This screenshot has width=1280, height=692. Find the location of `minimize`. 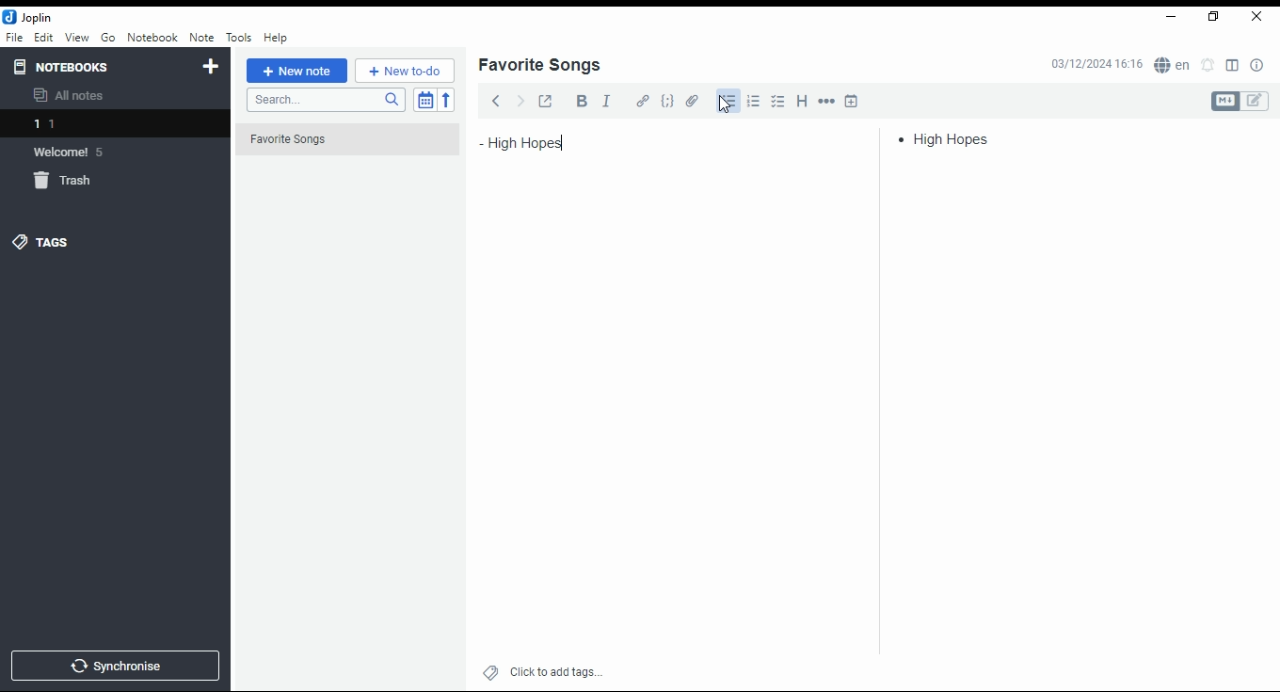

minimize is located at coordinates (1168, 18).